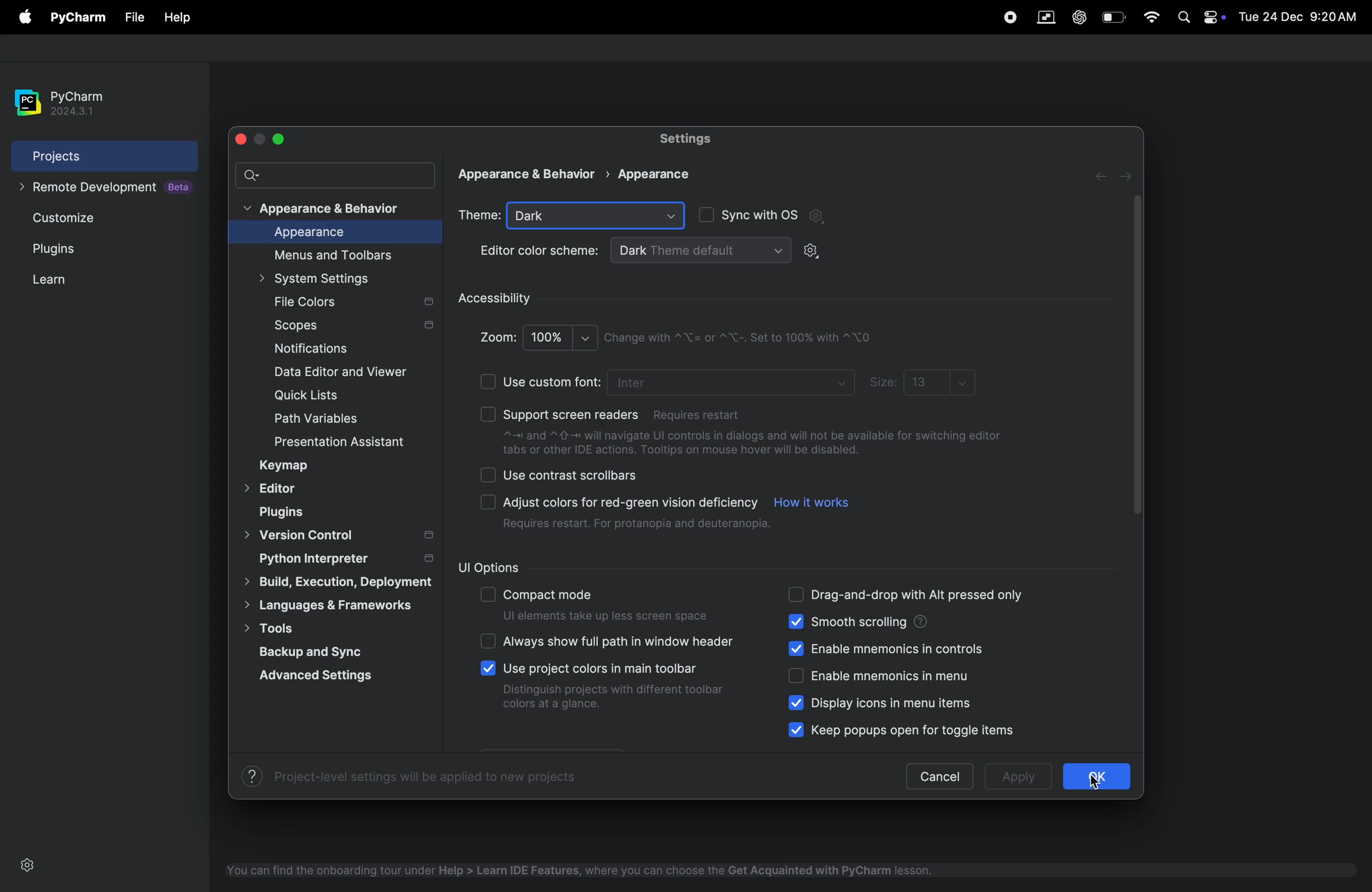  Describe the element at coordinates (344, 558) in the screenshot. I see `python interpreter` at that location.